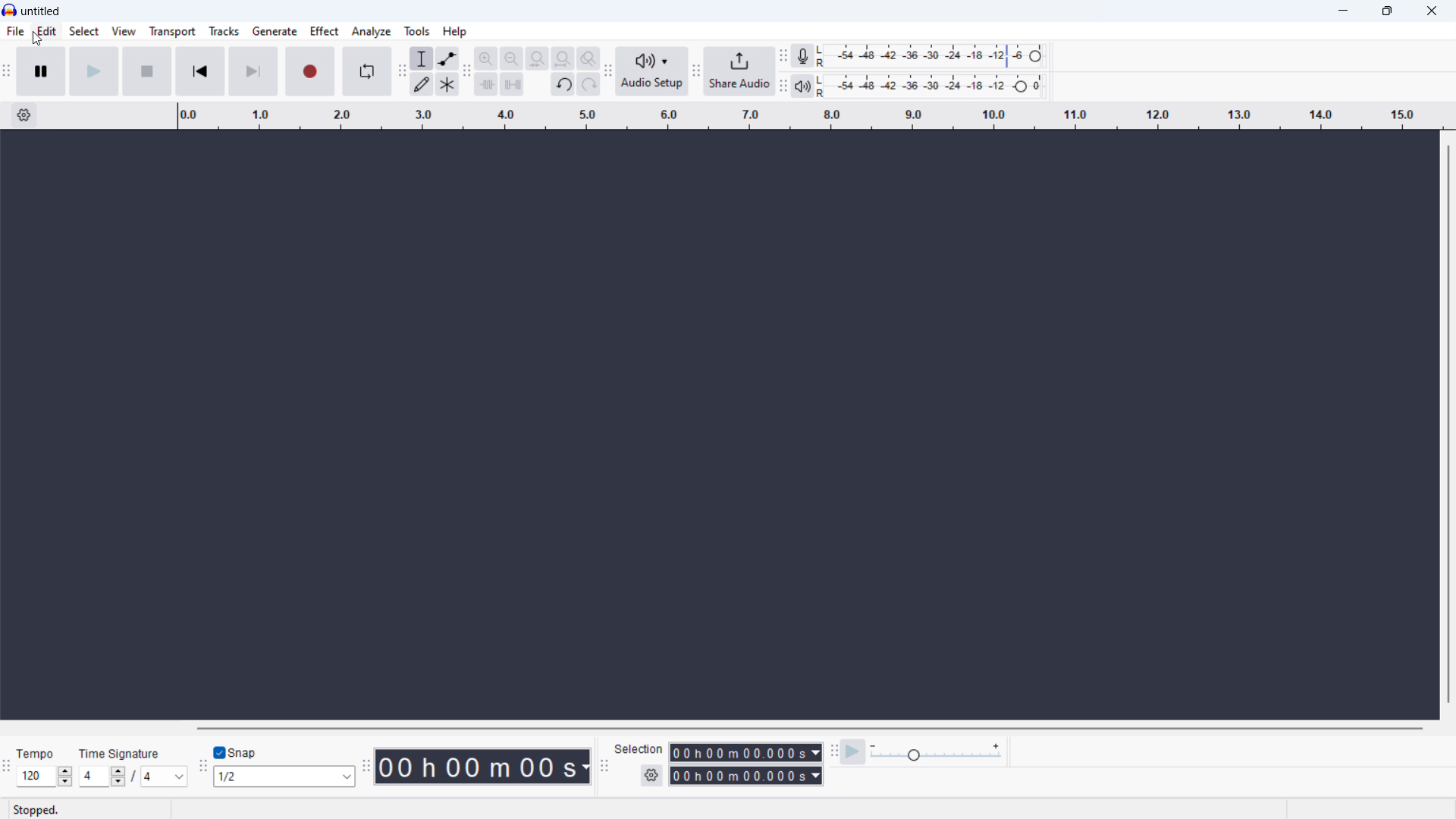  I want to click on pause, so click(42, 71).